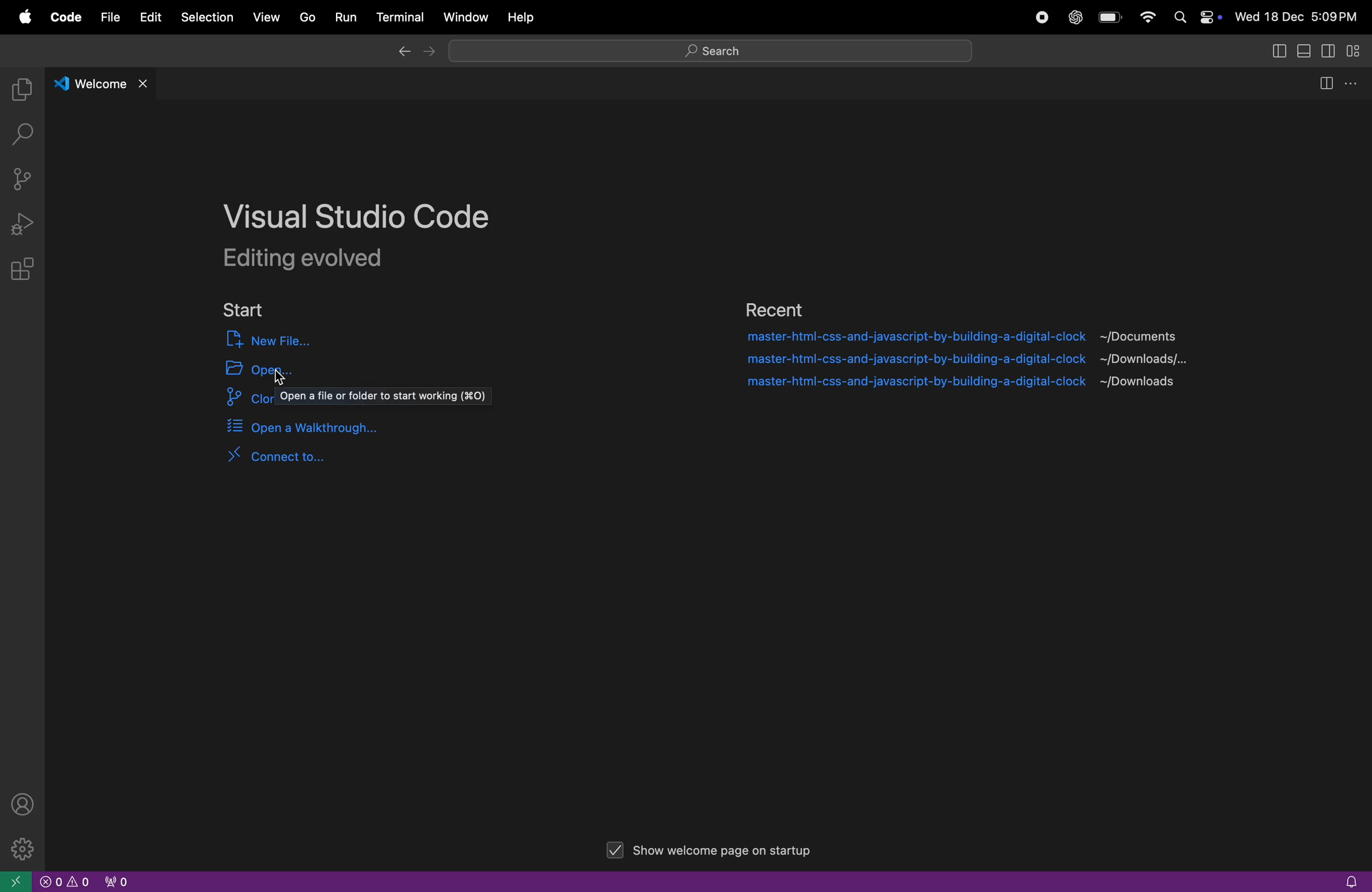  Describe the element at coordinates (1147, 16) in the screenshot. I see `` at that location.